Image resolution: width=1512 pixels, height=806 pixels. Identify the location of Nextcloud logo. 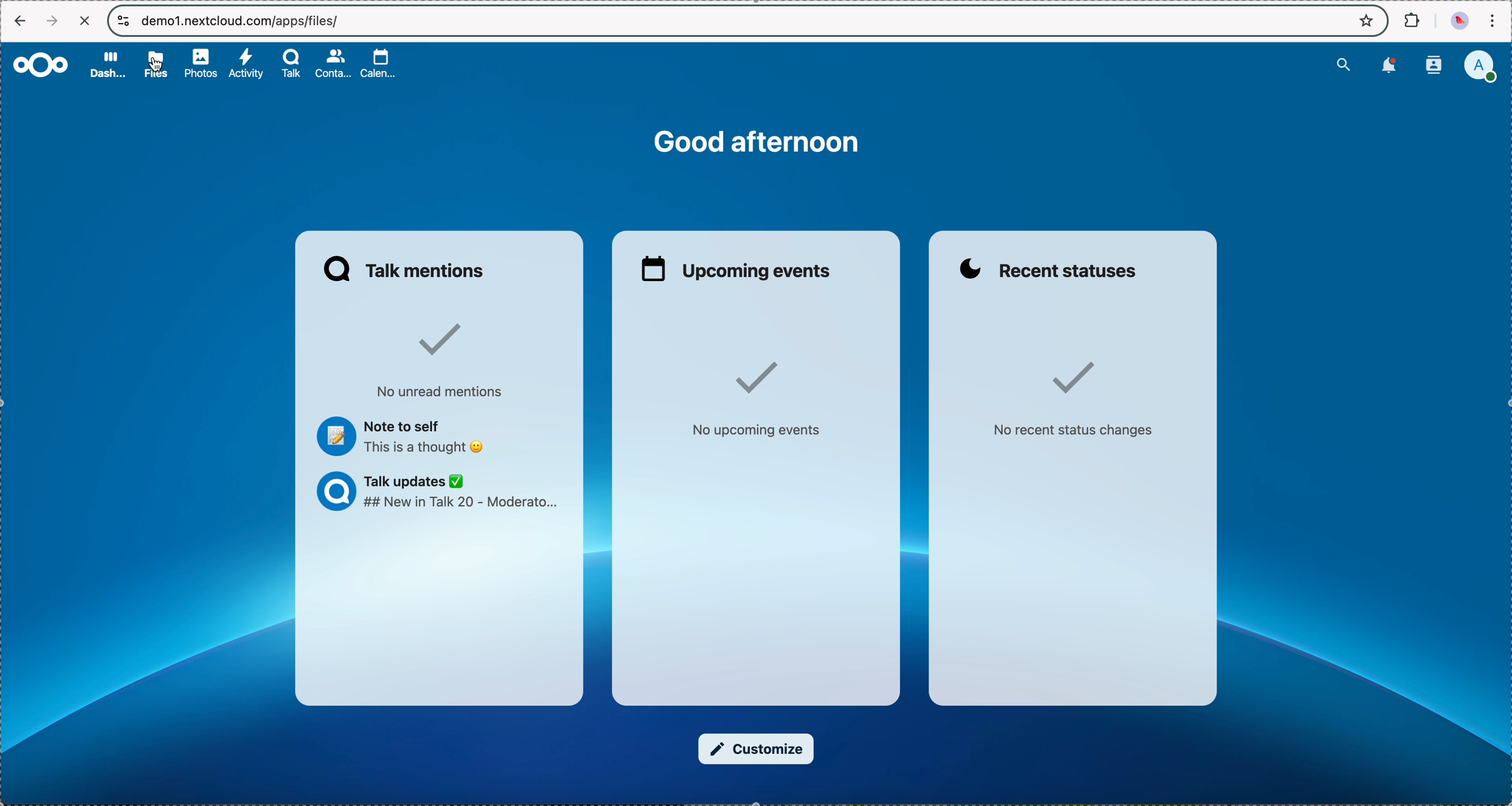
(39, 65).